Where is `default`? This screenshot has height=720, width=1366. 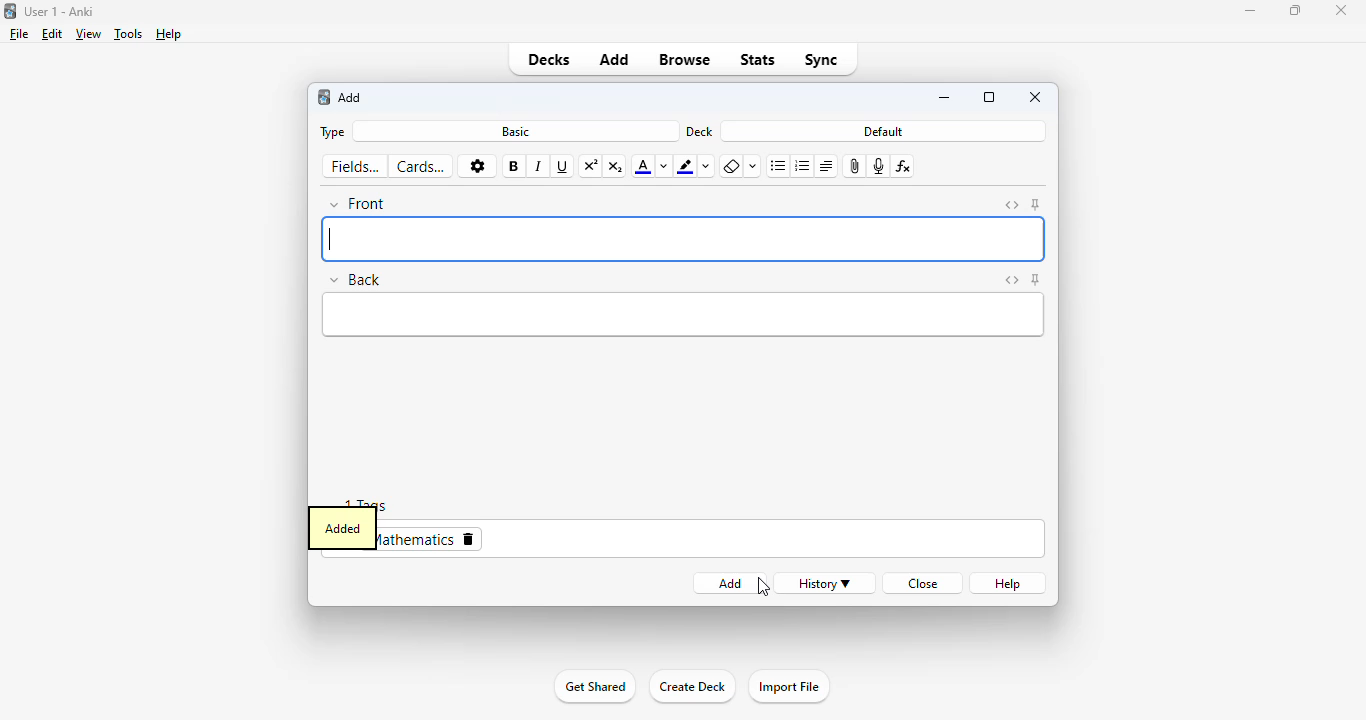
default is located at coordinates (884, 131).